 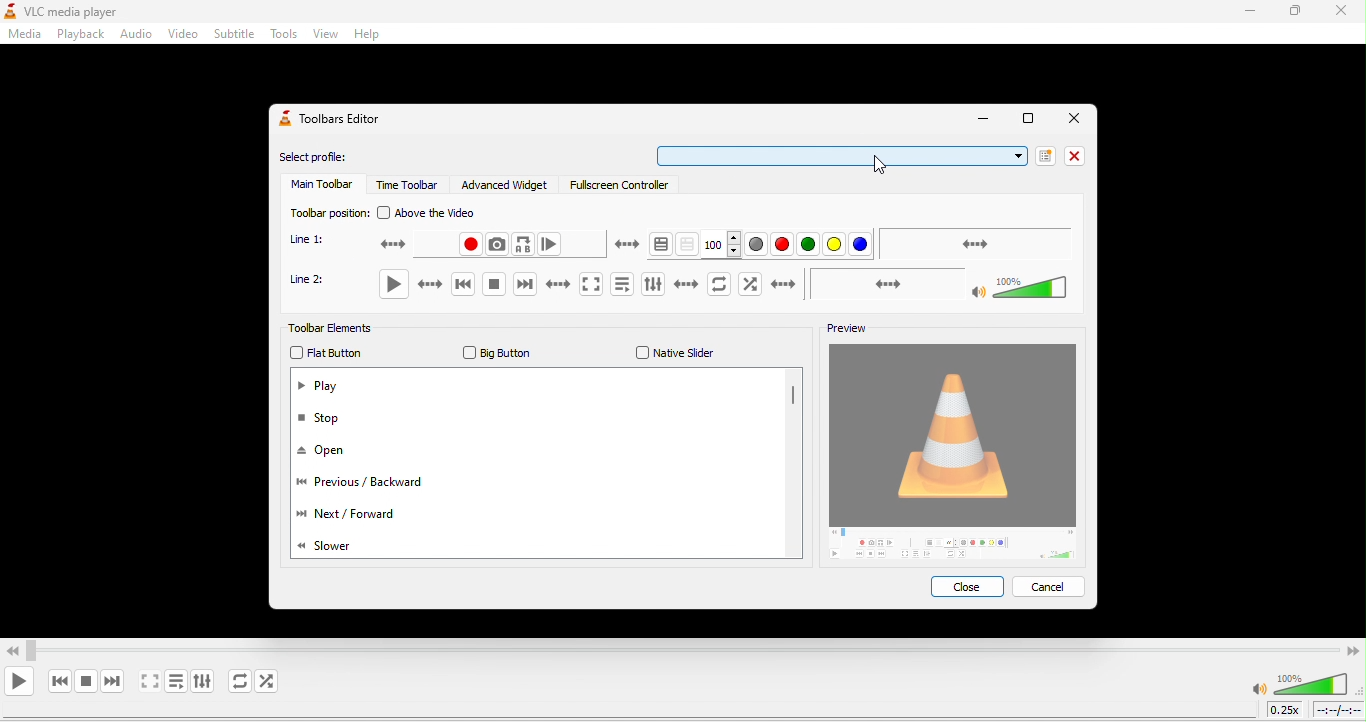 I want to click on frame by frame, so click(x=553, y=244).